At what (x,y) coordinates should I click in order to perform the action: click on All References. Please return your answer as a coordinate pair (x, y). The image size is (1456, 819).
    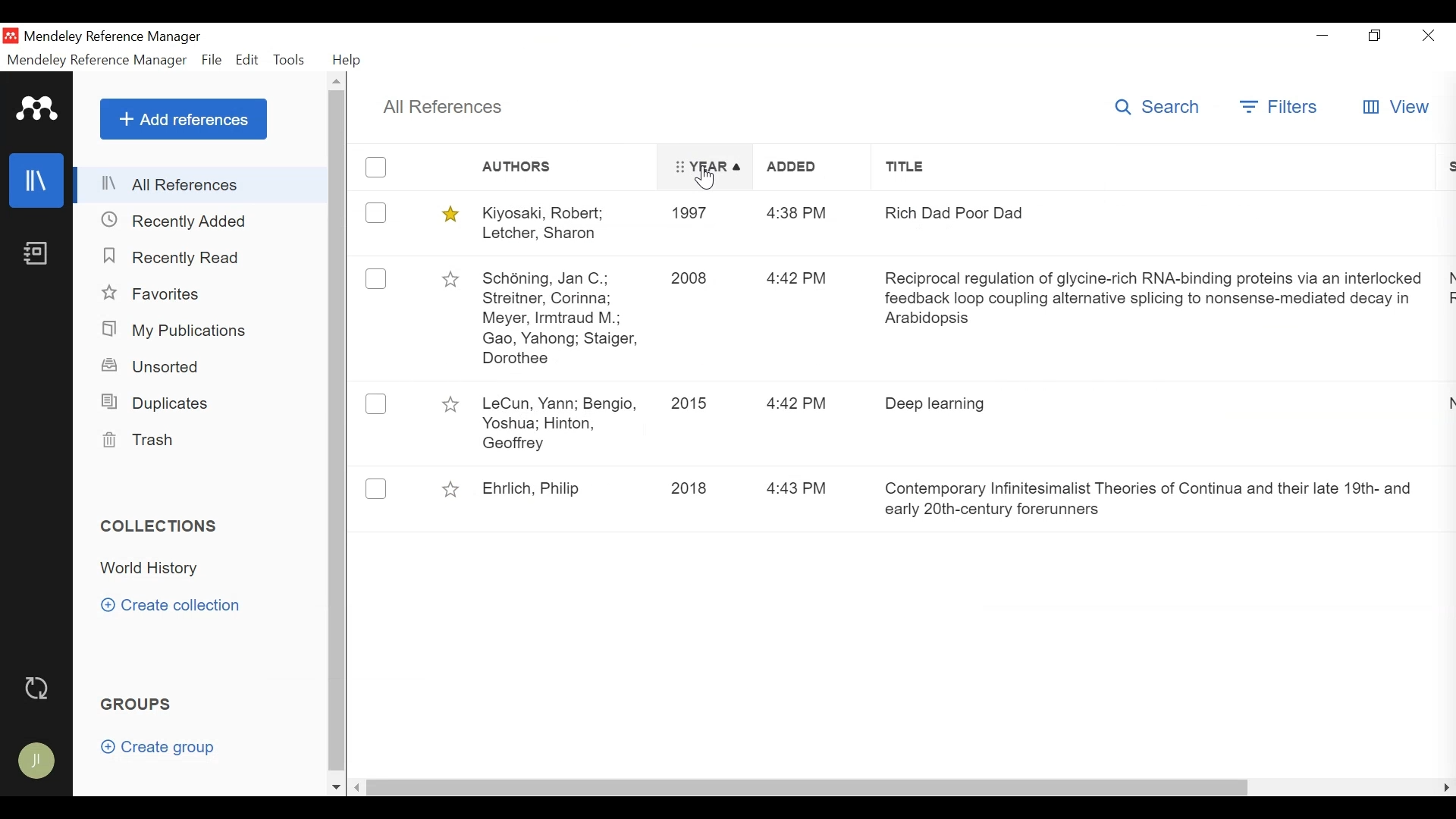
    Looking at the image, I should click on (445, 108).